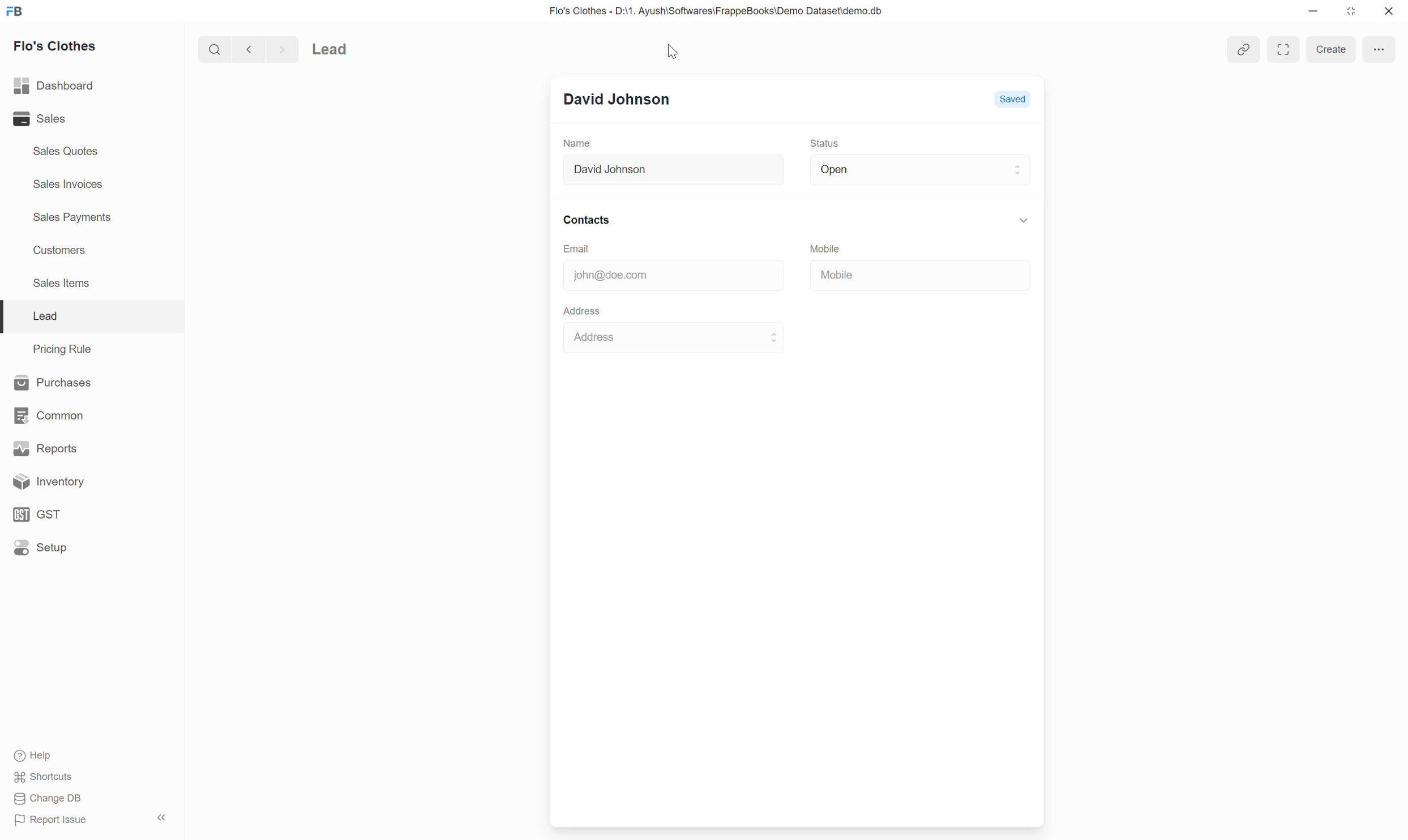  Describe the element at coordinates (45, 316) in the screenshot. I see `Lead` at that location.